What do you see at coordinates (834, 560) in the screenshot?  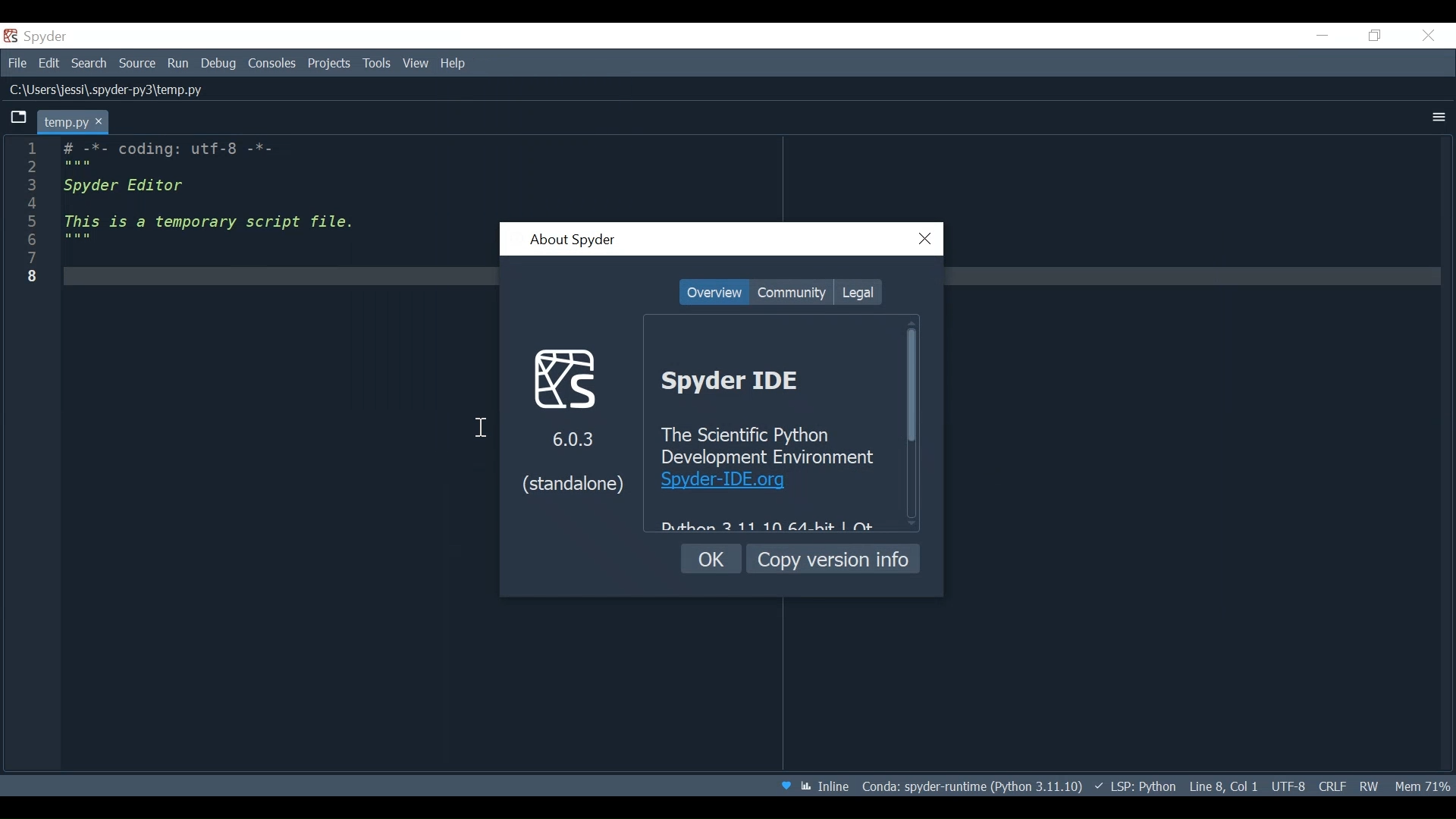 I see `Copy version info` at bounding box center [834, 560].